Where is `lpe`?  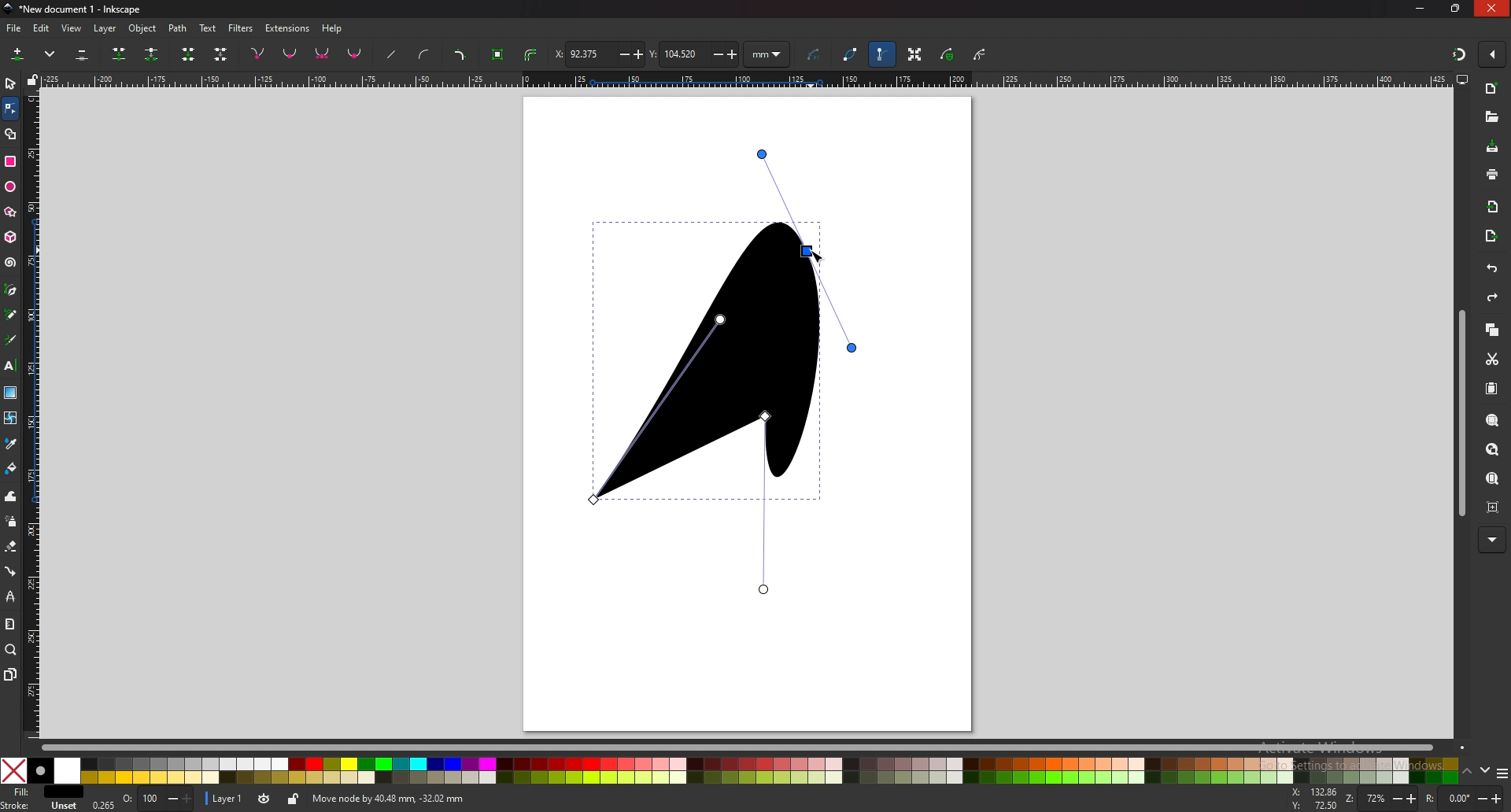 lpe is located at coordinates (10, 596).